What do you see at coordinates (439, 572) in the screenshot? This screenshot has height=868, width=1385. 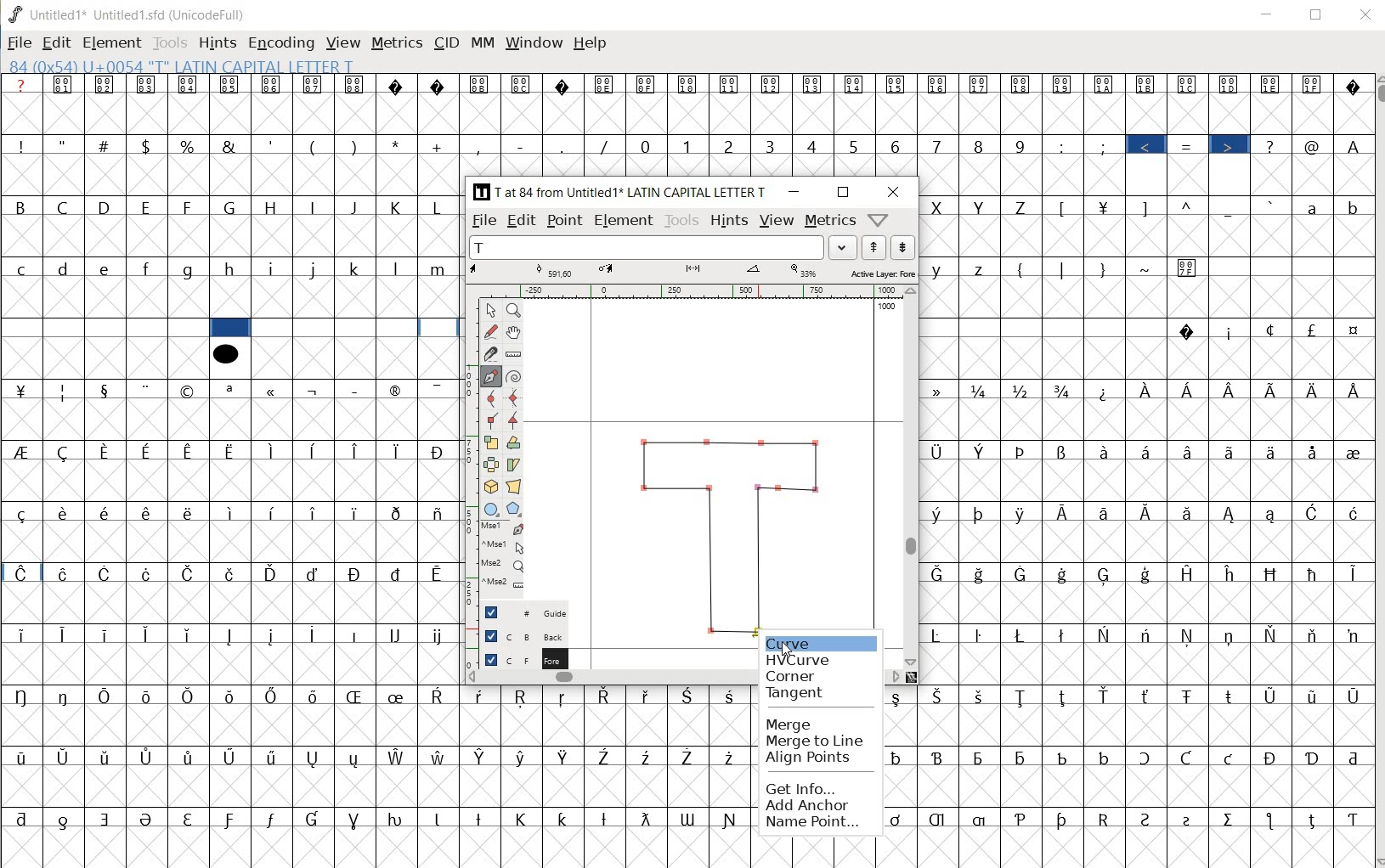 I see `Symbol` at bounding box center [439, 572].